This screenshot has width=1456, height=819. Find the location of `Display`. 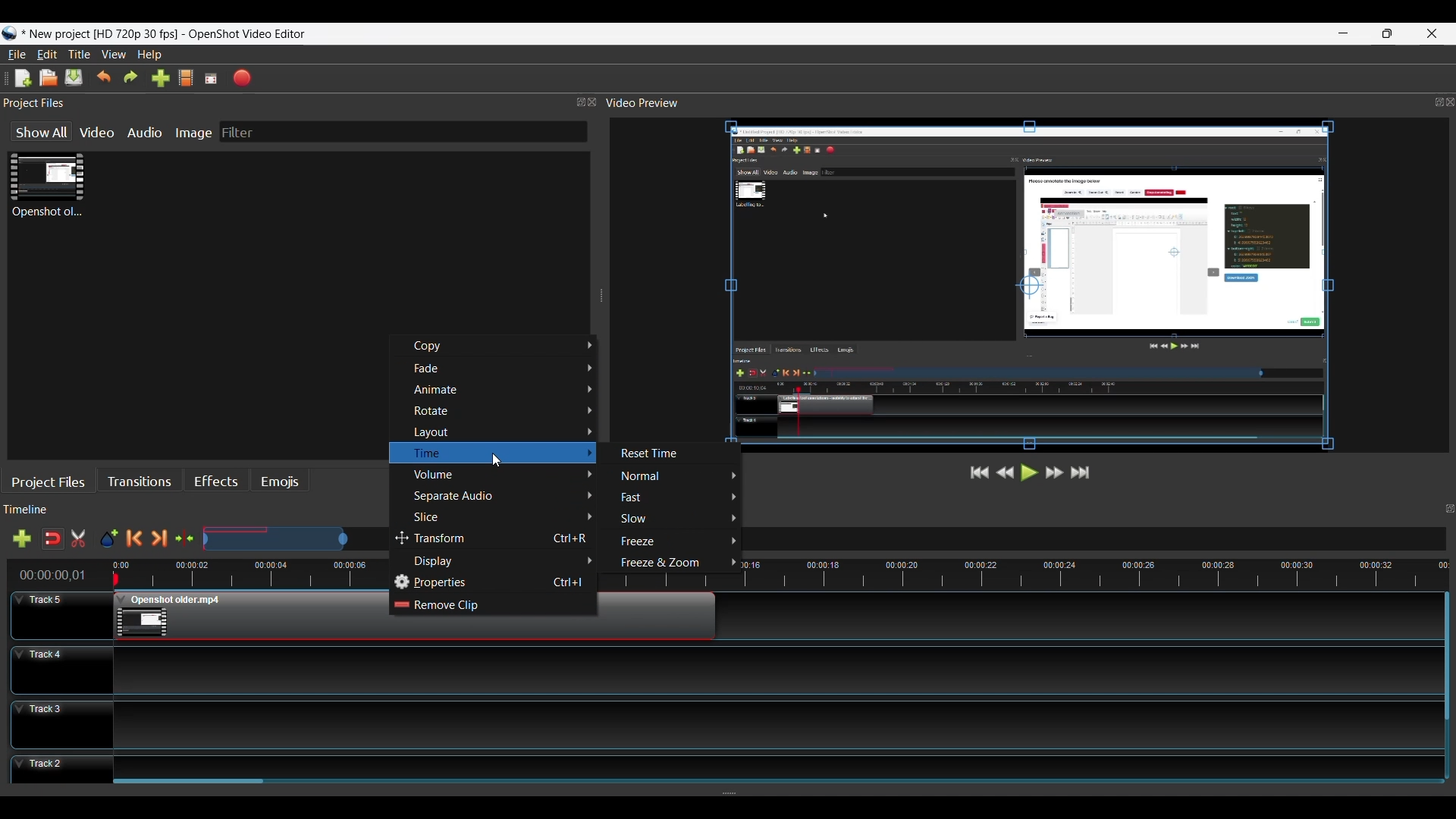

Display is located at coordinates (503, 561).